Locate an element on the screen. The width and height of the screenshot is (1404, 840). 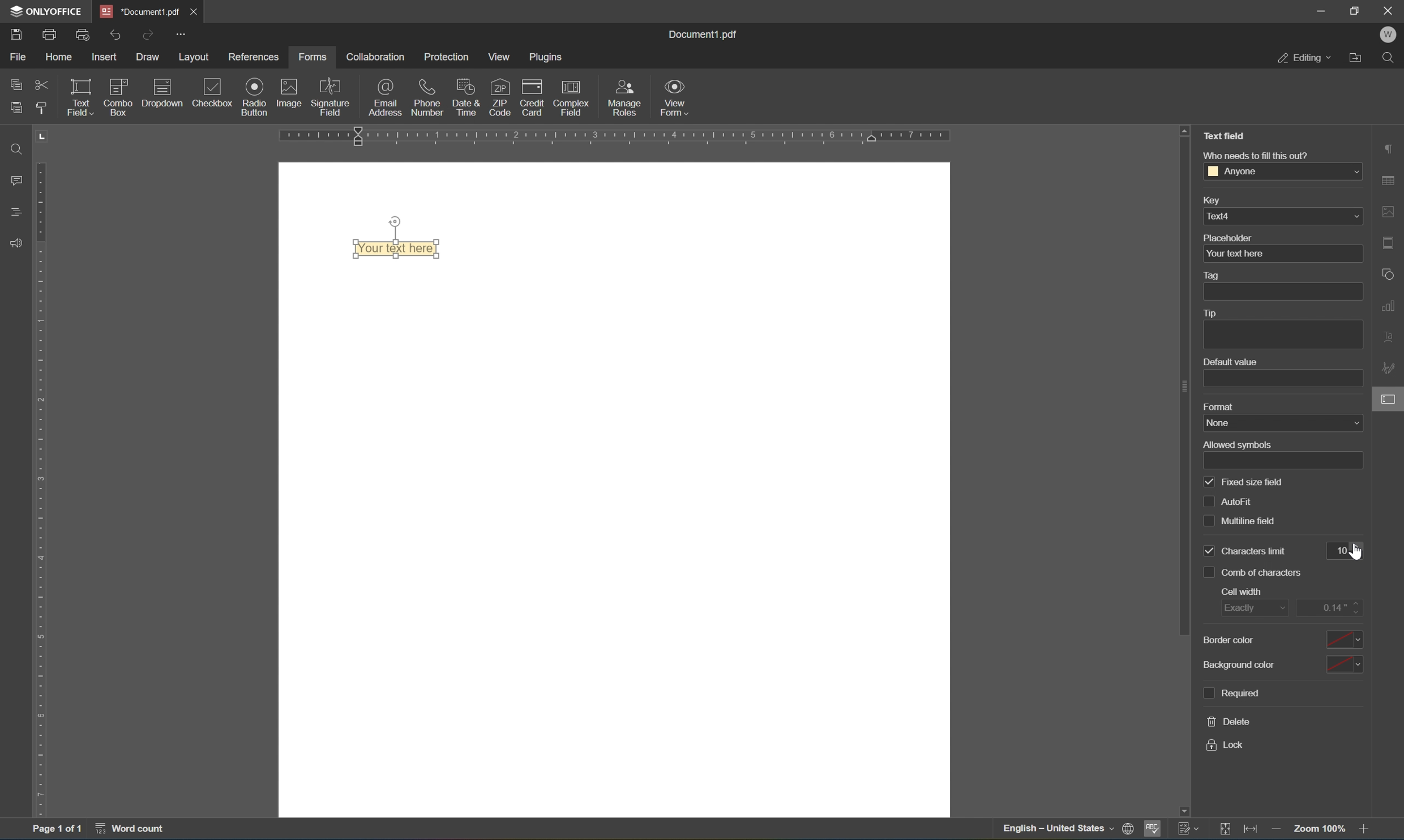
lock is located at coordinates (1231, 745).